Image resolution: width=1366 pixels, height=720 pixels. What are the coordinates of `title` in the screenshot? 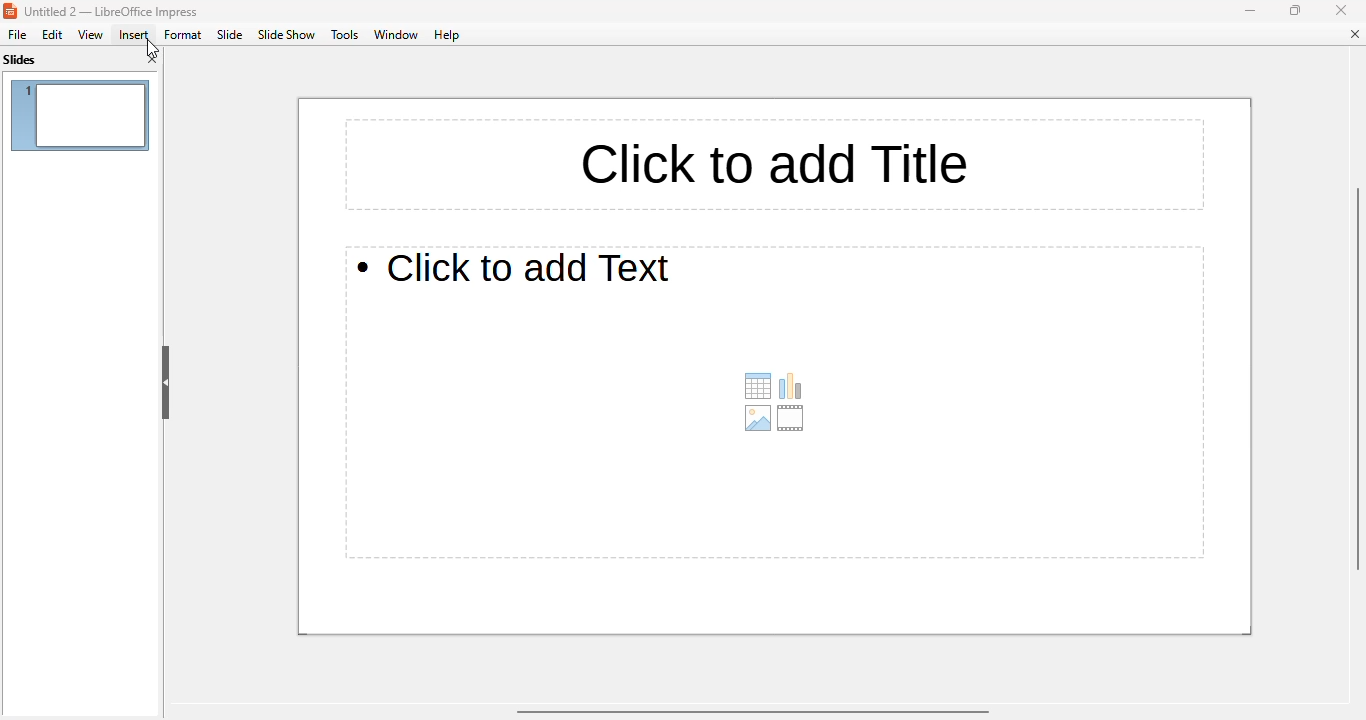 It's located at (778, 164).